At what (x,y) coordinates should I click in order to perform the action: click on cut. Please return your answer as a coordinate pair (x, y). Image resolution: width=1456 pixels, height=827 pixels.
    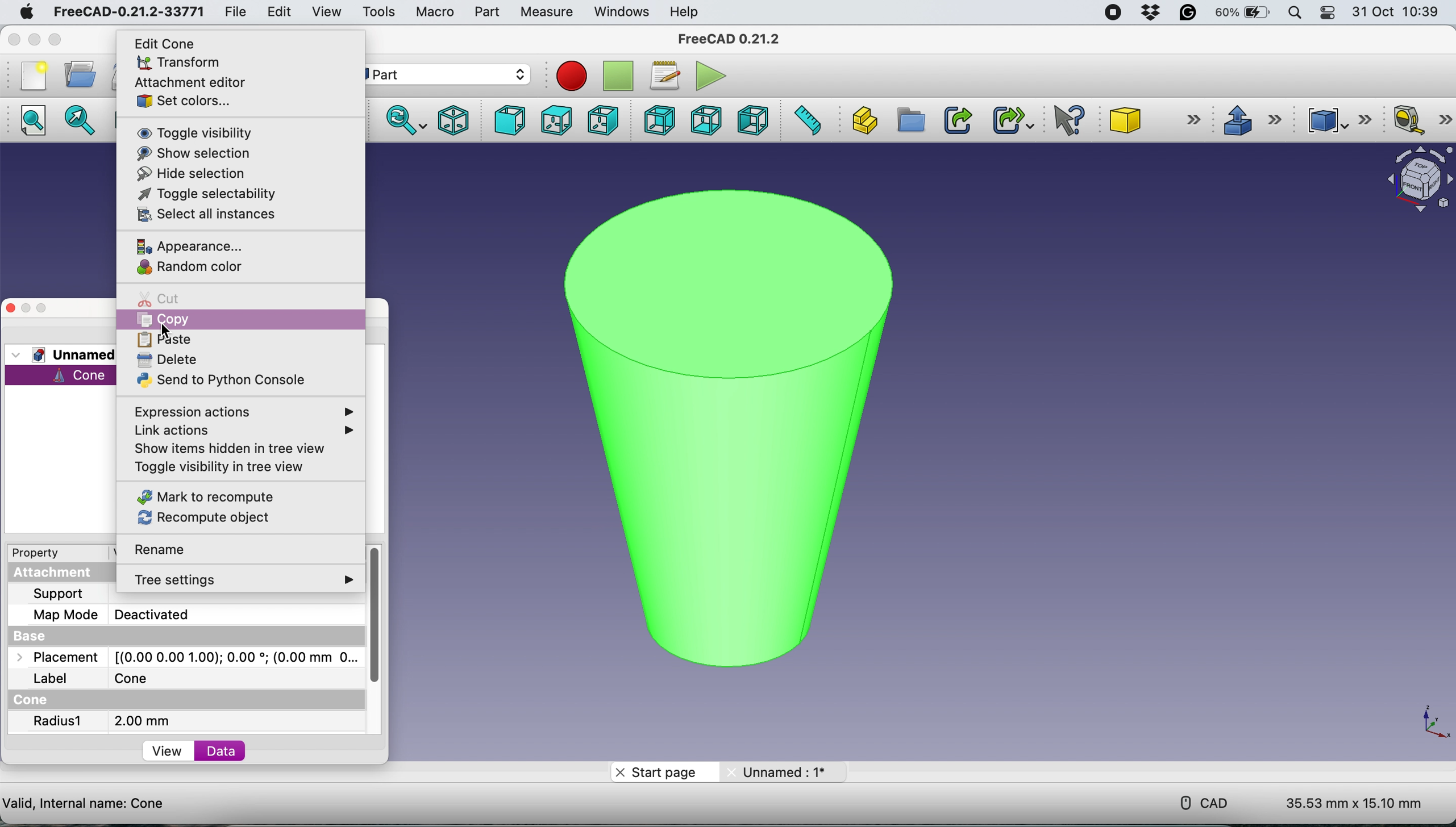
    Looking at the image, I should click on (167, 299).